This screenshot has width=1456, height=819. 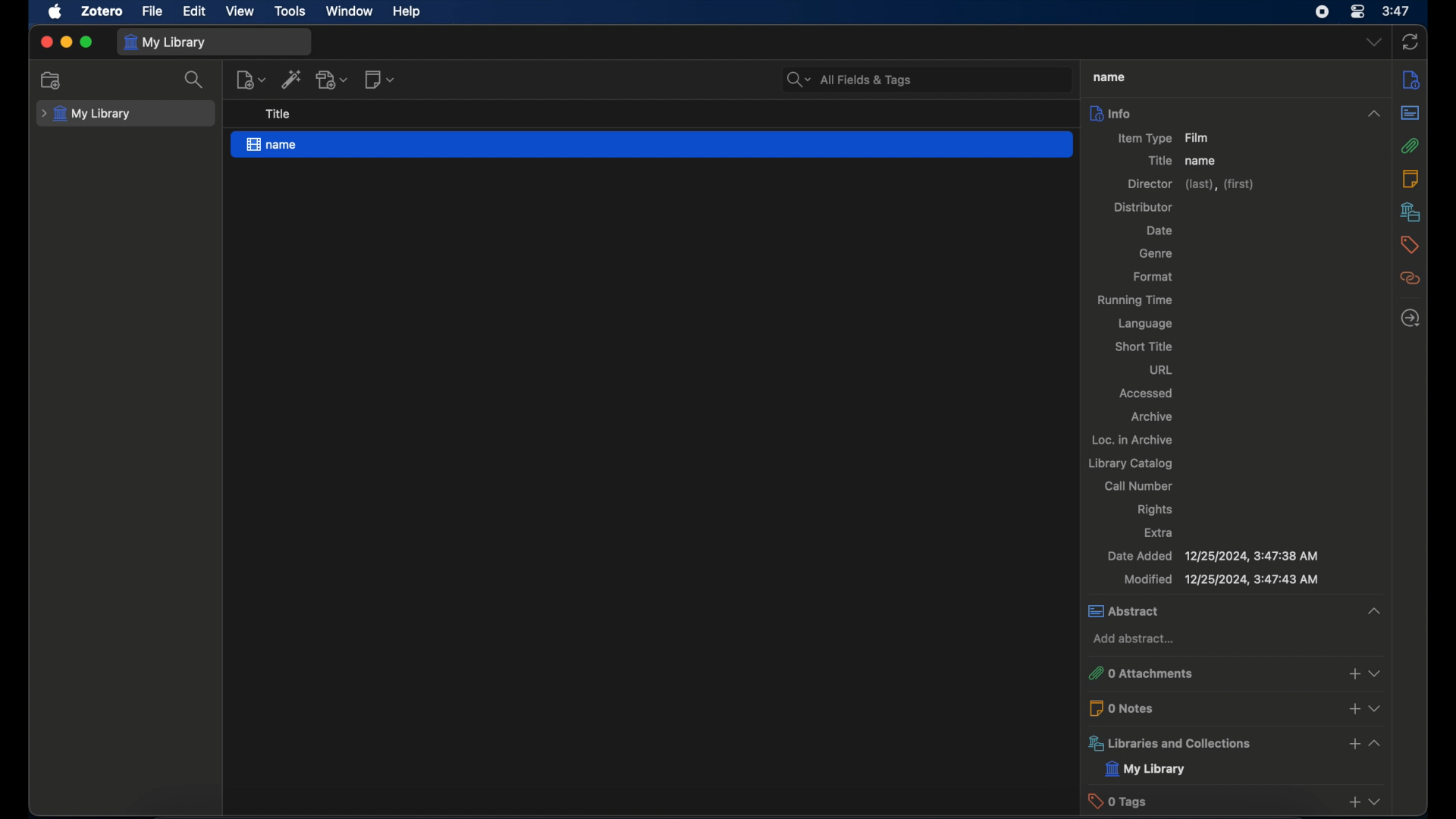 I want to click on loc. in archive, so click(x=1132, y=440).